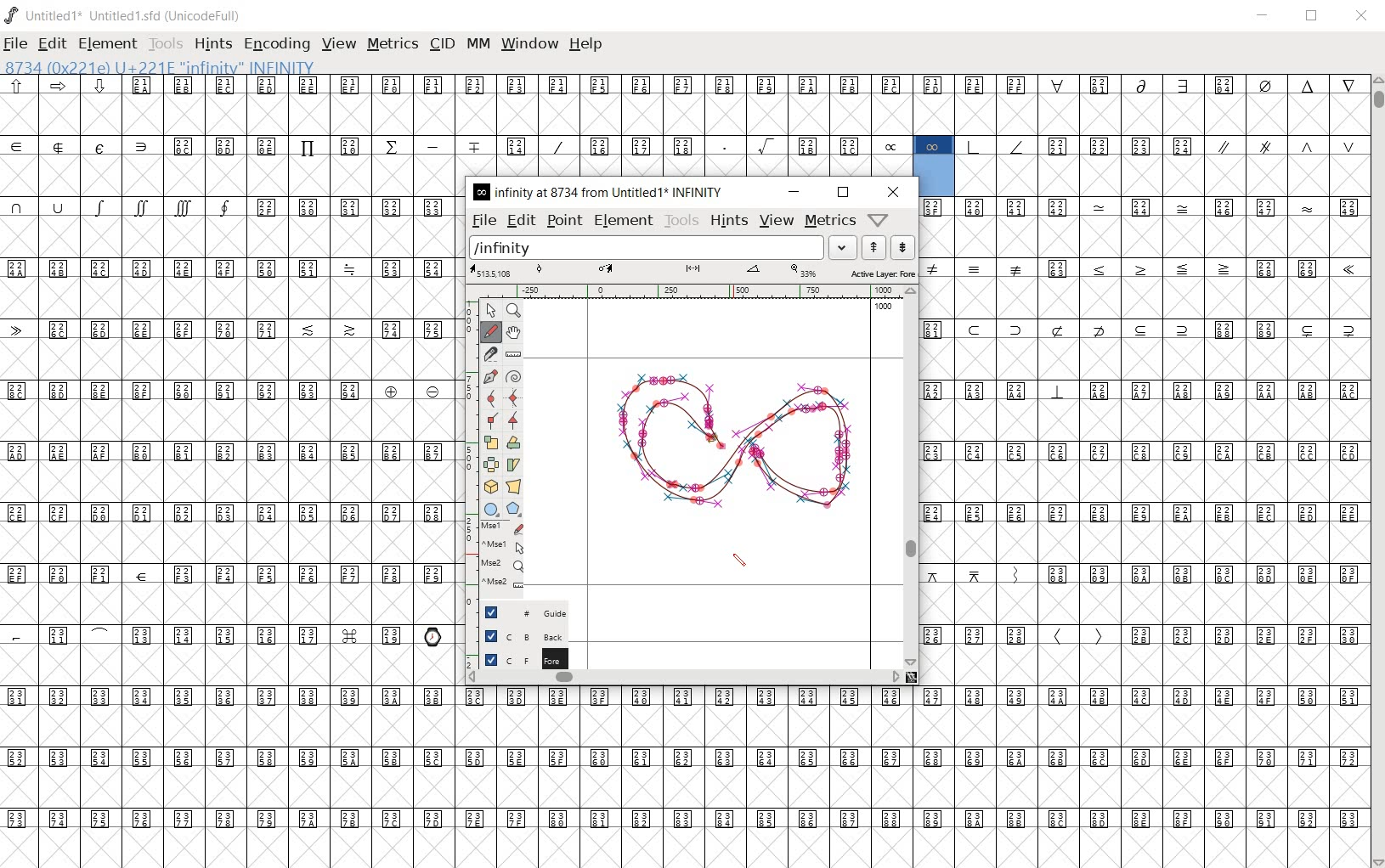 The image size is (1385, 868). I want to click on Unicode code points, so click(688, 816).